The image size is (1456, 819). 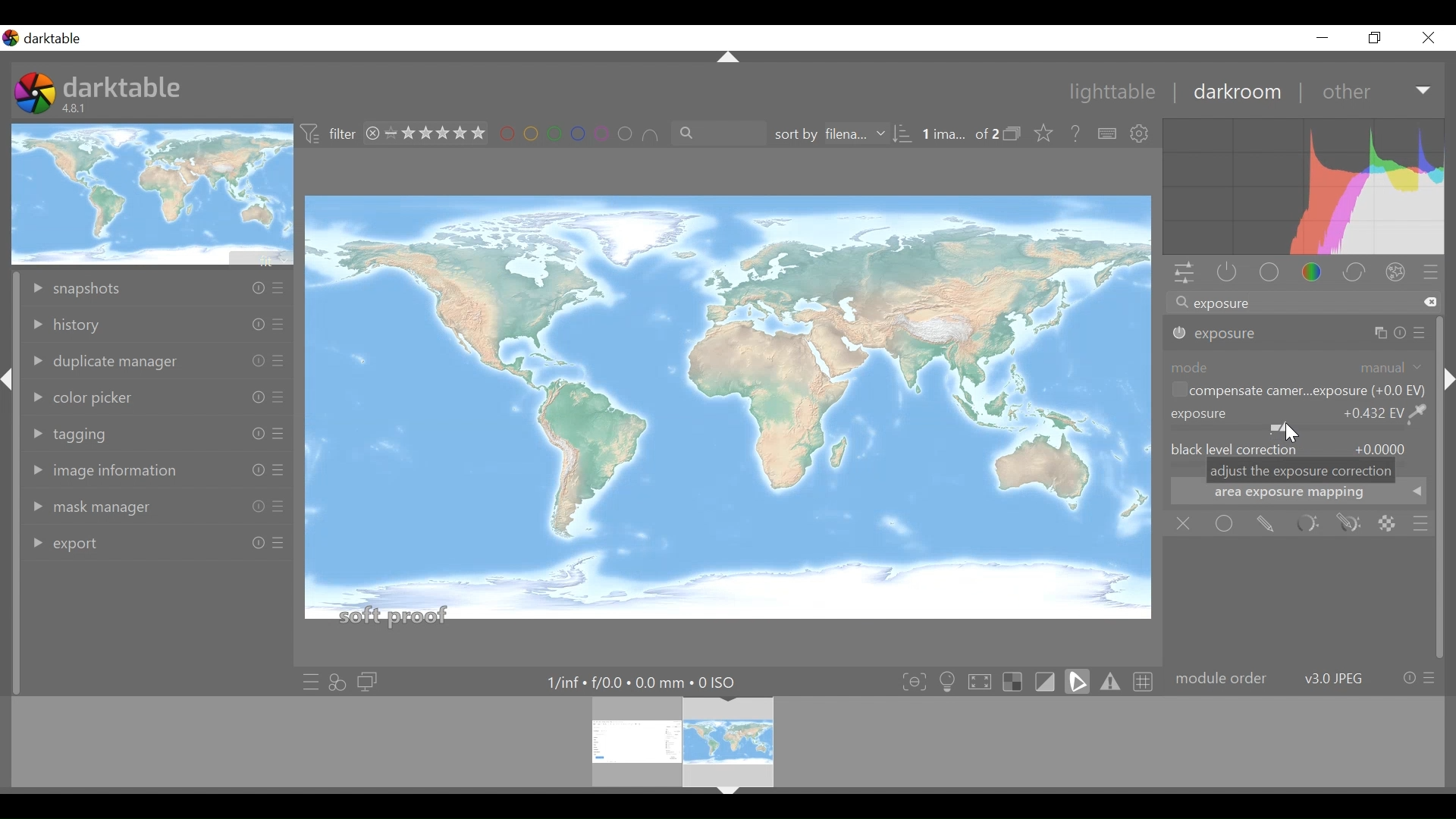 I want to click on , so click(x=276, y=507).